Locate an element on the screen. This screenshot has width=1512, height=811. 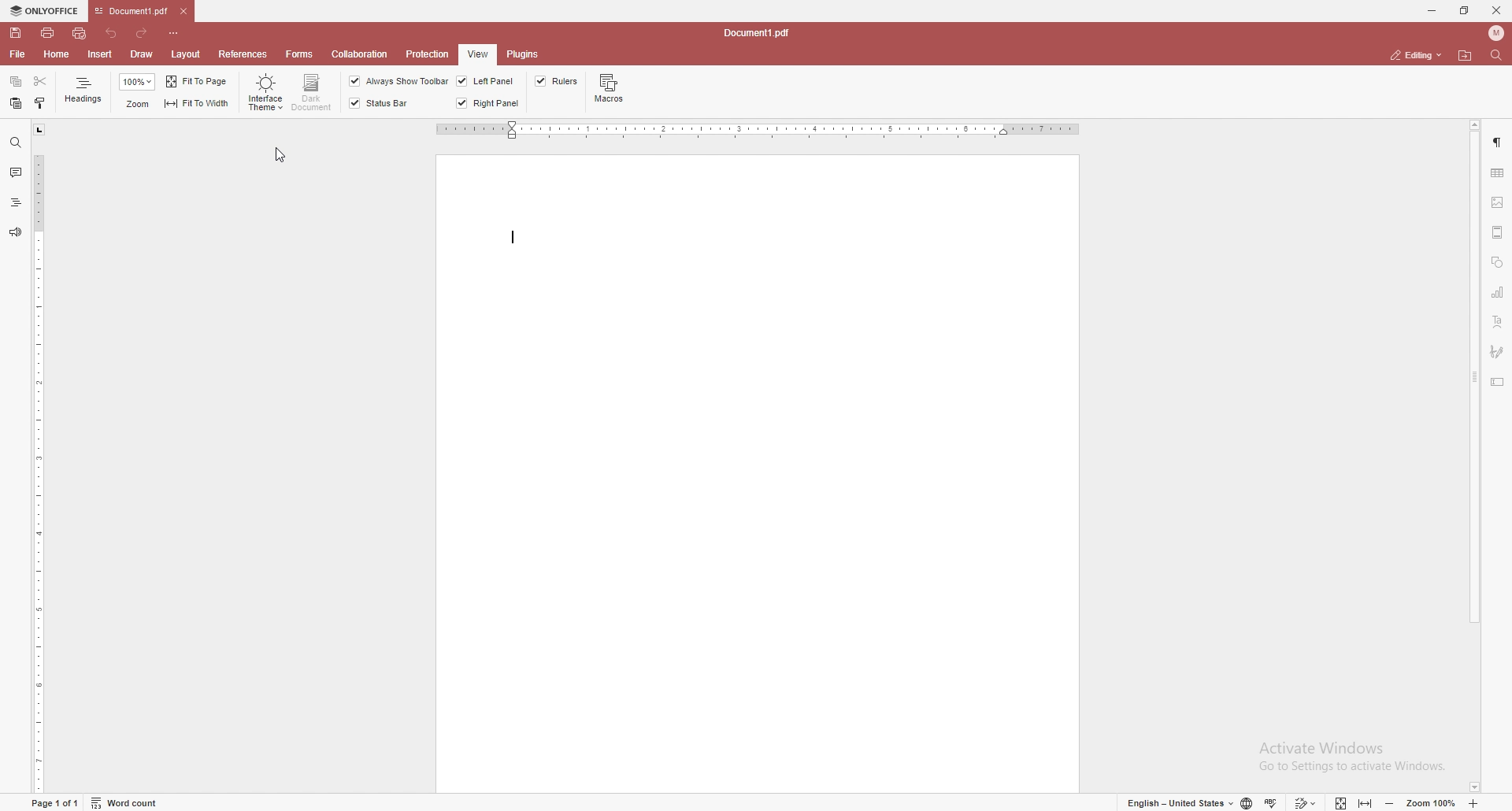
comment is located at coordinates (16, 173).